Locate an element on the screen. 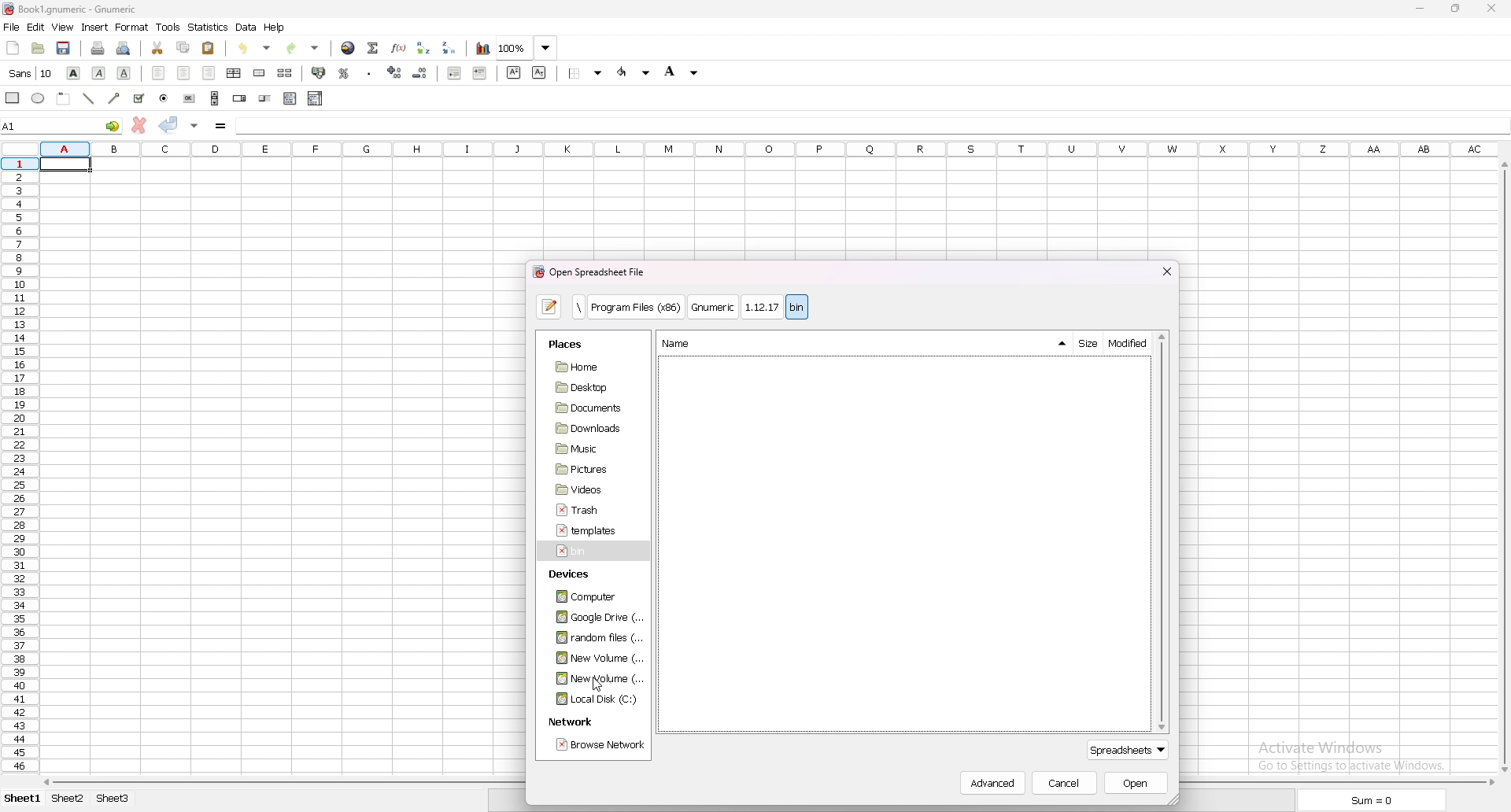 This screenshot has height=812, width=1511. cell input is located at coordinates (870, 125).